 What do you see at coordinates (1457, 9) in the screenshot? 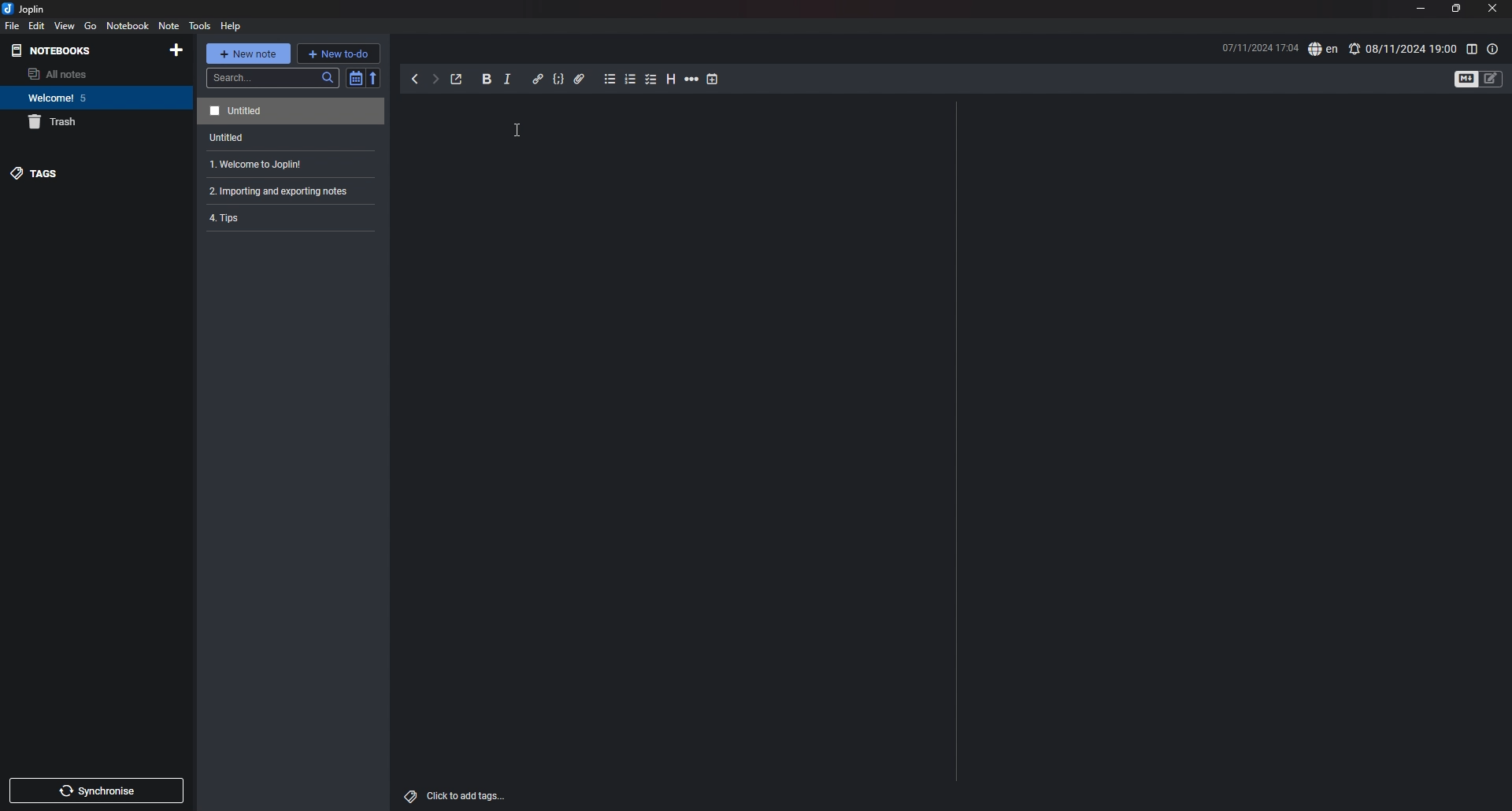
I see `resize` at bounding box center [1457, 9].